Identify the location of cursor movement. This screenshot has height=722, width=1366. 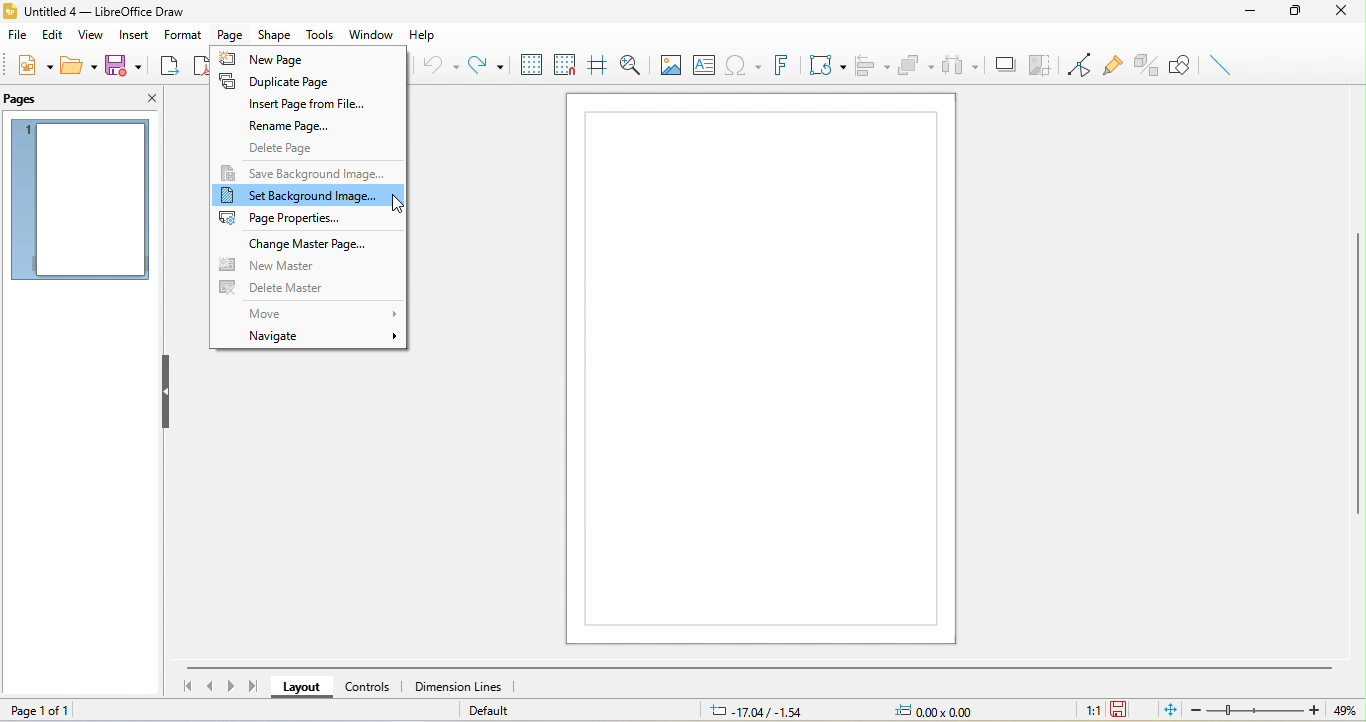
(396, 209).